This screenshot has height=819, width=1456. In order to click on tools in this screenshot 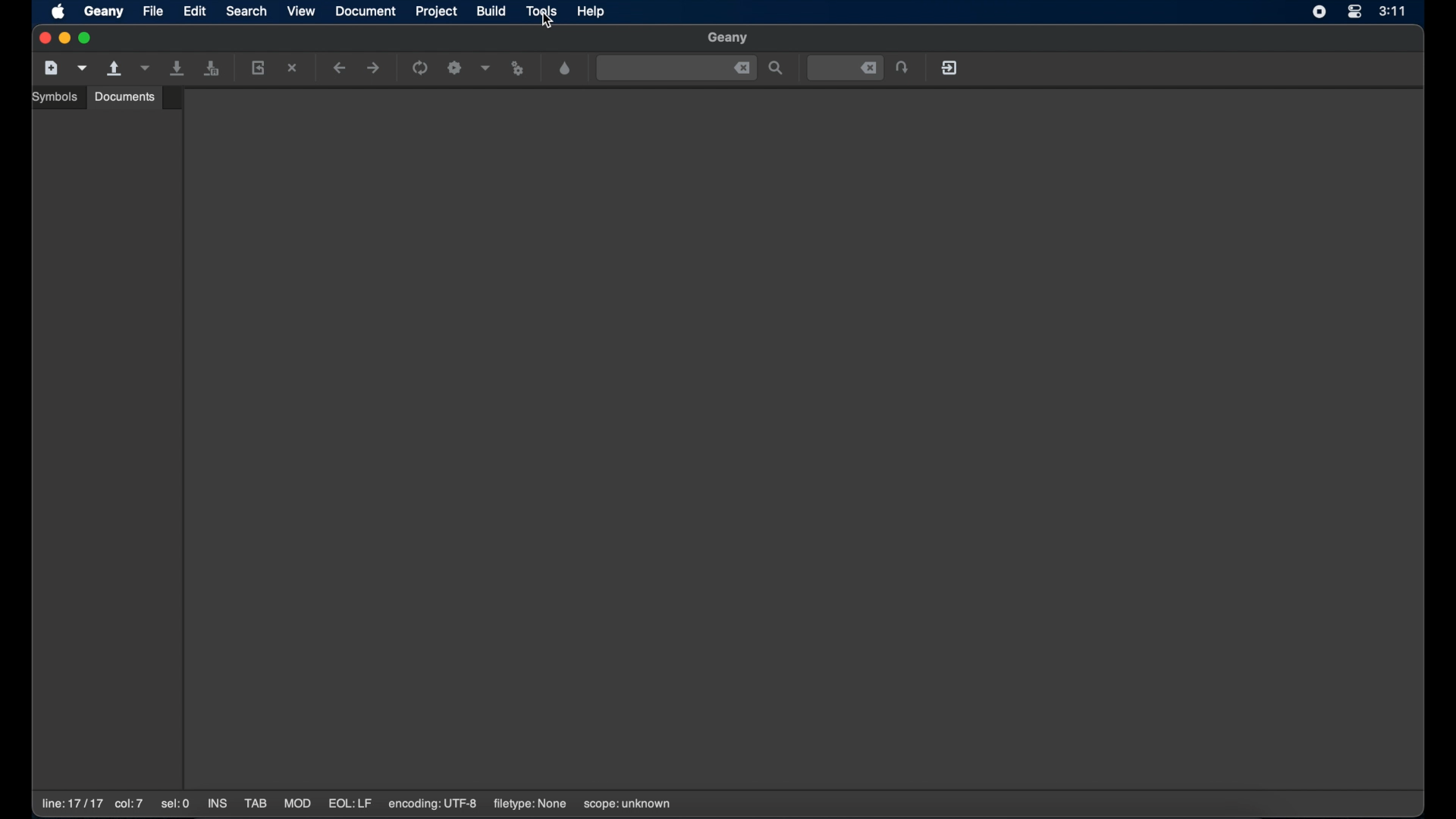, I will do `click(542, 12)`.